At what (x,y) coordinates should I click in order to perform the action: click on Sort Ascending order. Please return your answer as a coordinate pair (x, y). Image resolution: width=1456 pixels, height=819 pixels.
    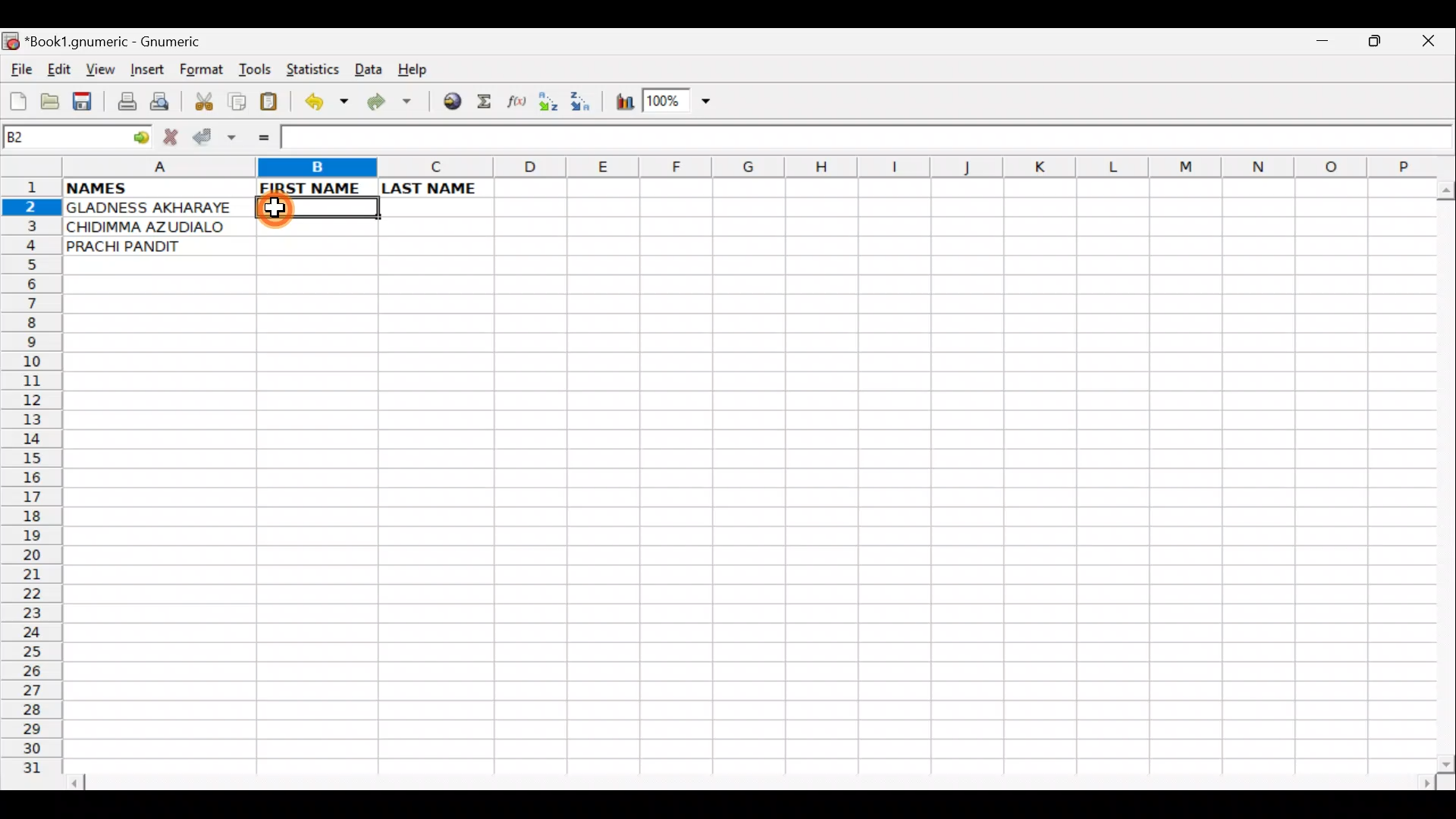
    Looking at the image, I should click on (552, 105).